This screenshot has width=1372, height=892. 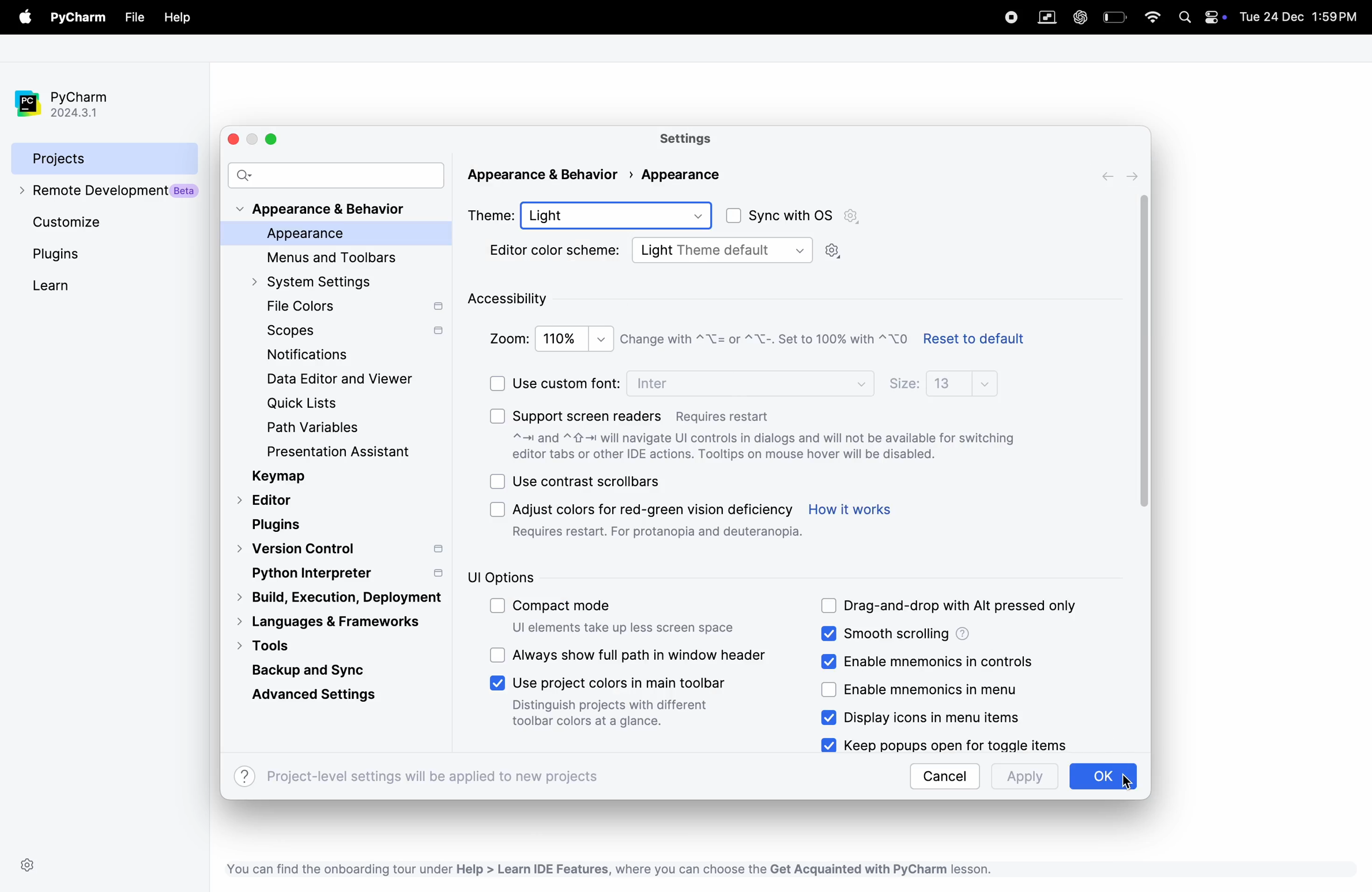 What do you see at coordinates (497, 380) in the screenshot?
I see `check boxes` at bounding box center [497, 380].